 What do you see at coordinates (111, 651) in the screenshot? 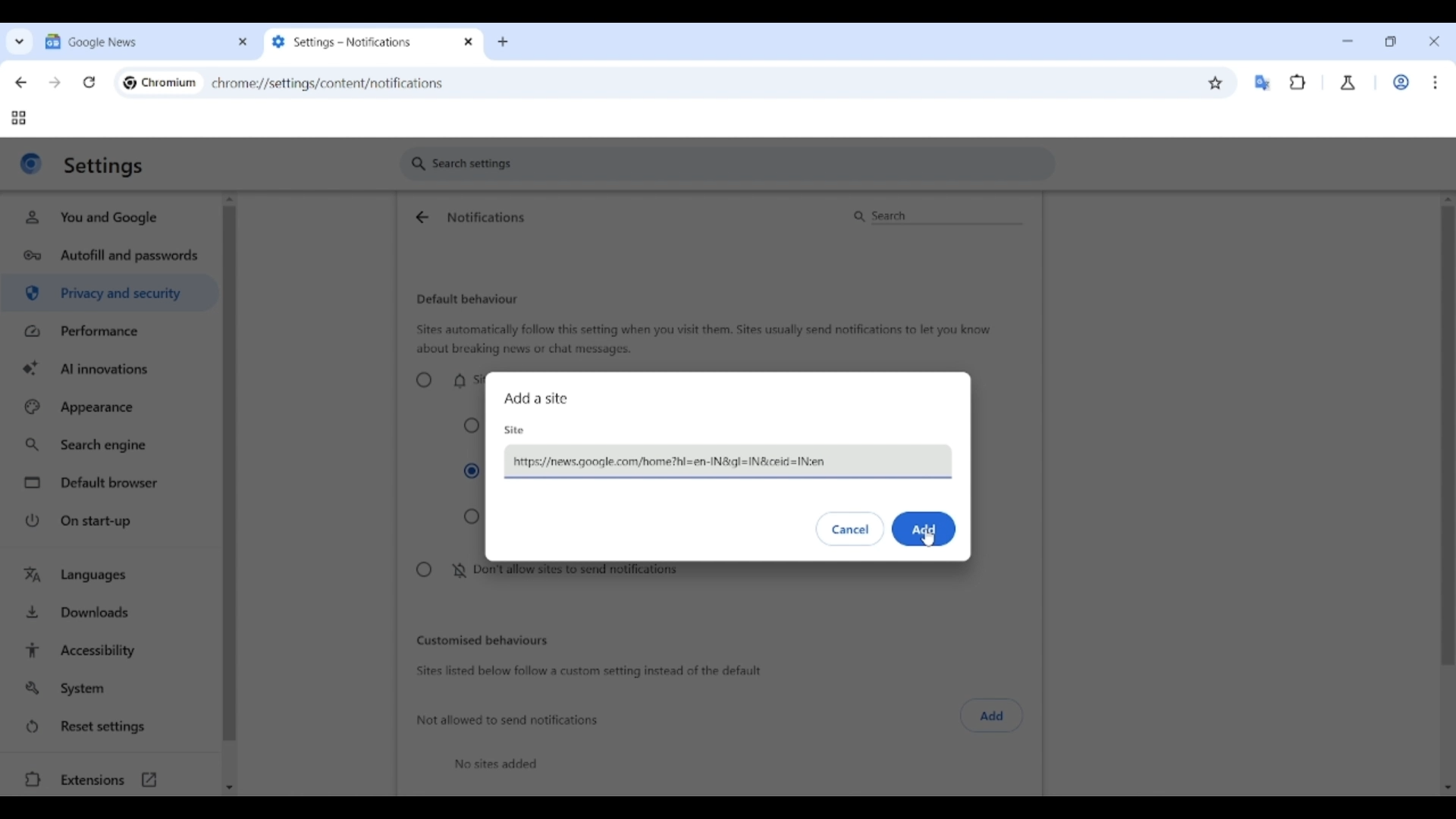
I see `Accessibility` at bounding box center [111, 651].